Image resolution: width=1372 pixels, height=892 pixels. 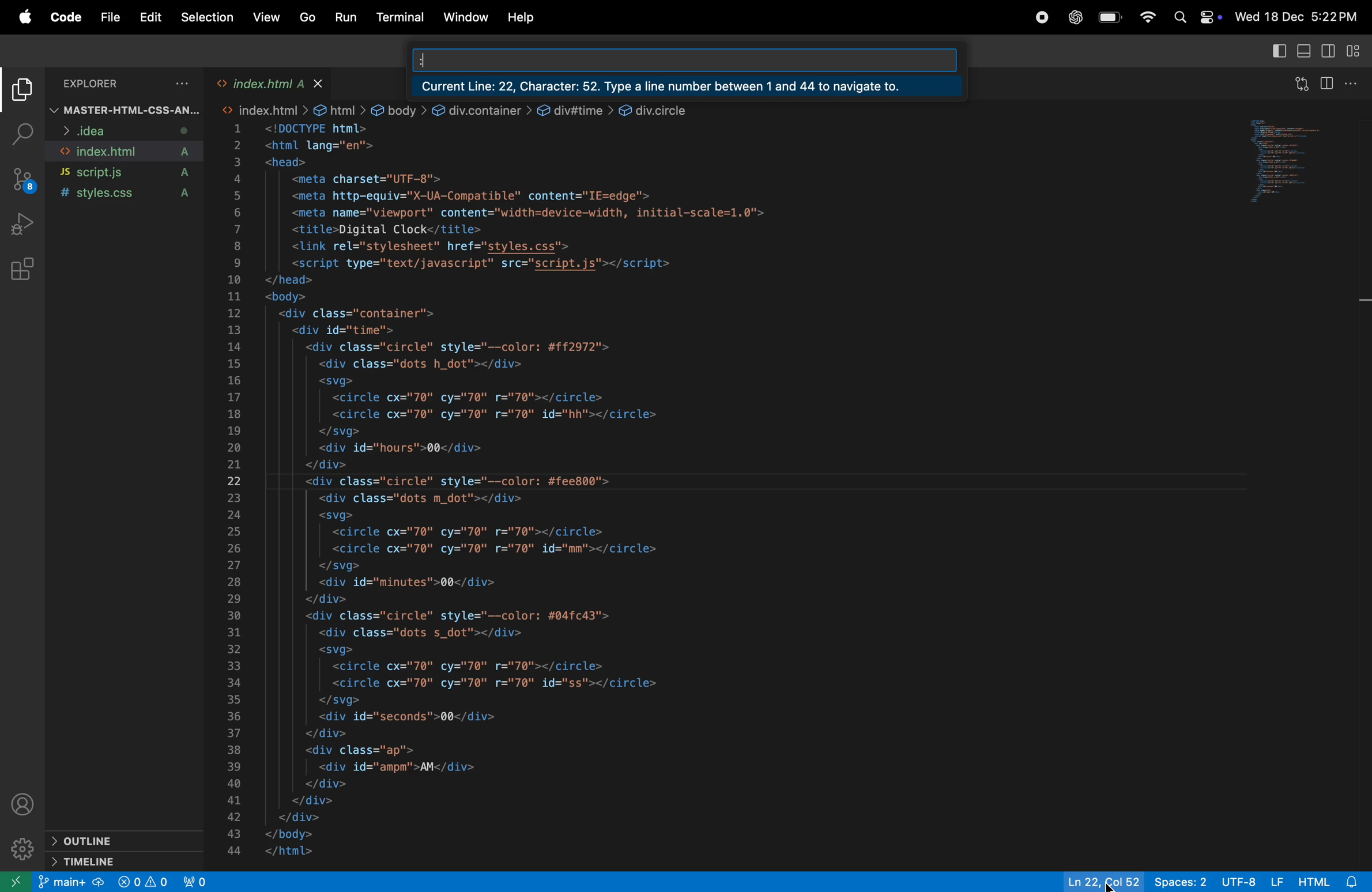 What do you see at coordinates (125, 109) in the screenshot?
I see `master html css file` at bounding box center [125, 109].